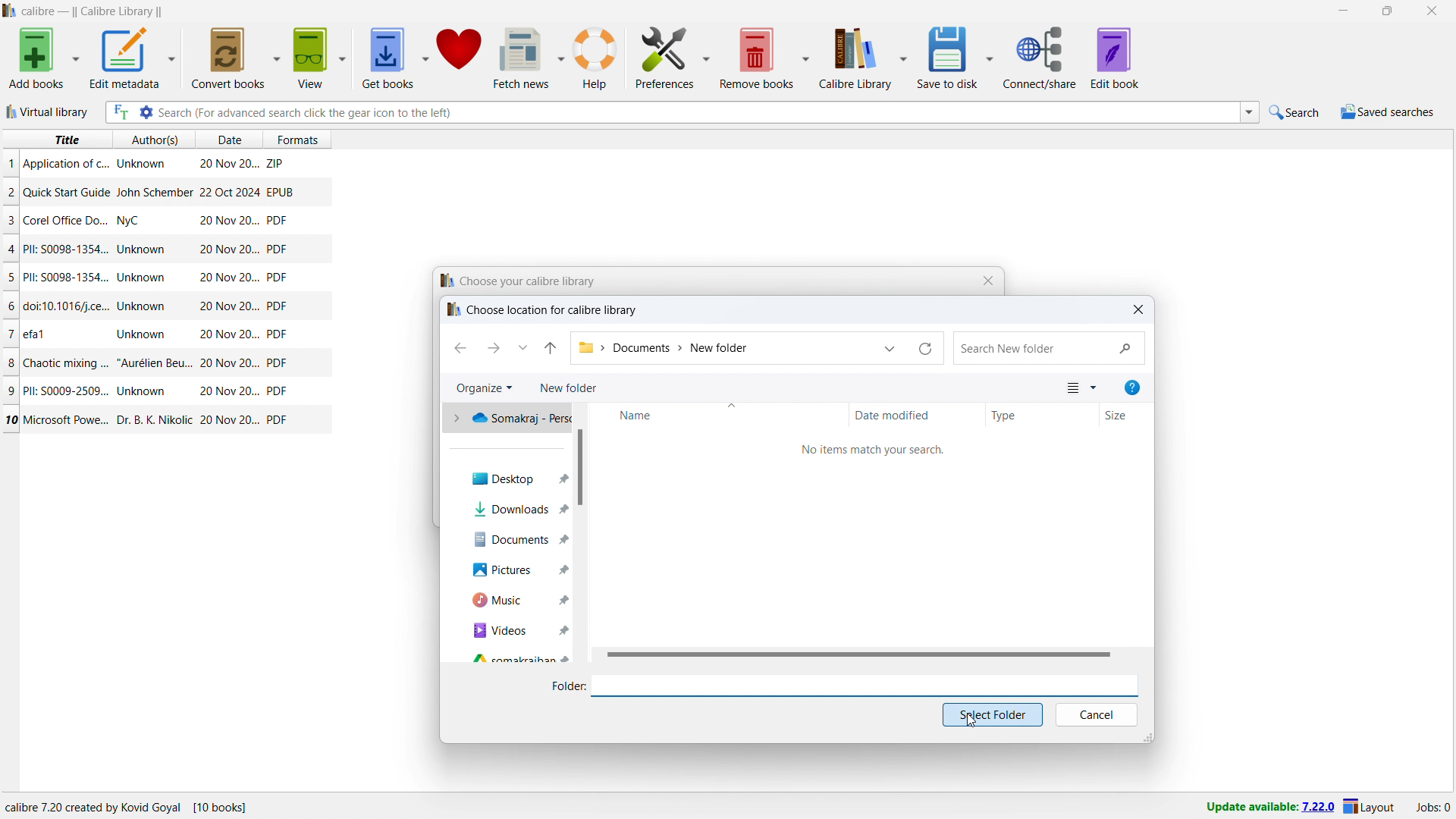 This screenshot has width=1456, height=819. Describe the element at coordinates (425, 58) in the screenshot. I see `get books options` at that location.